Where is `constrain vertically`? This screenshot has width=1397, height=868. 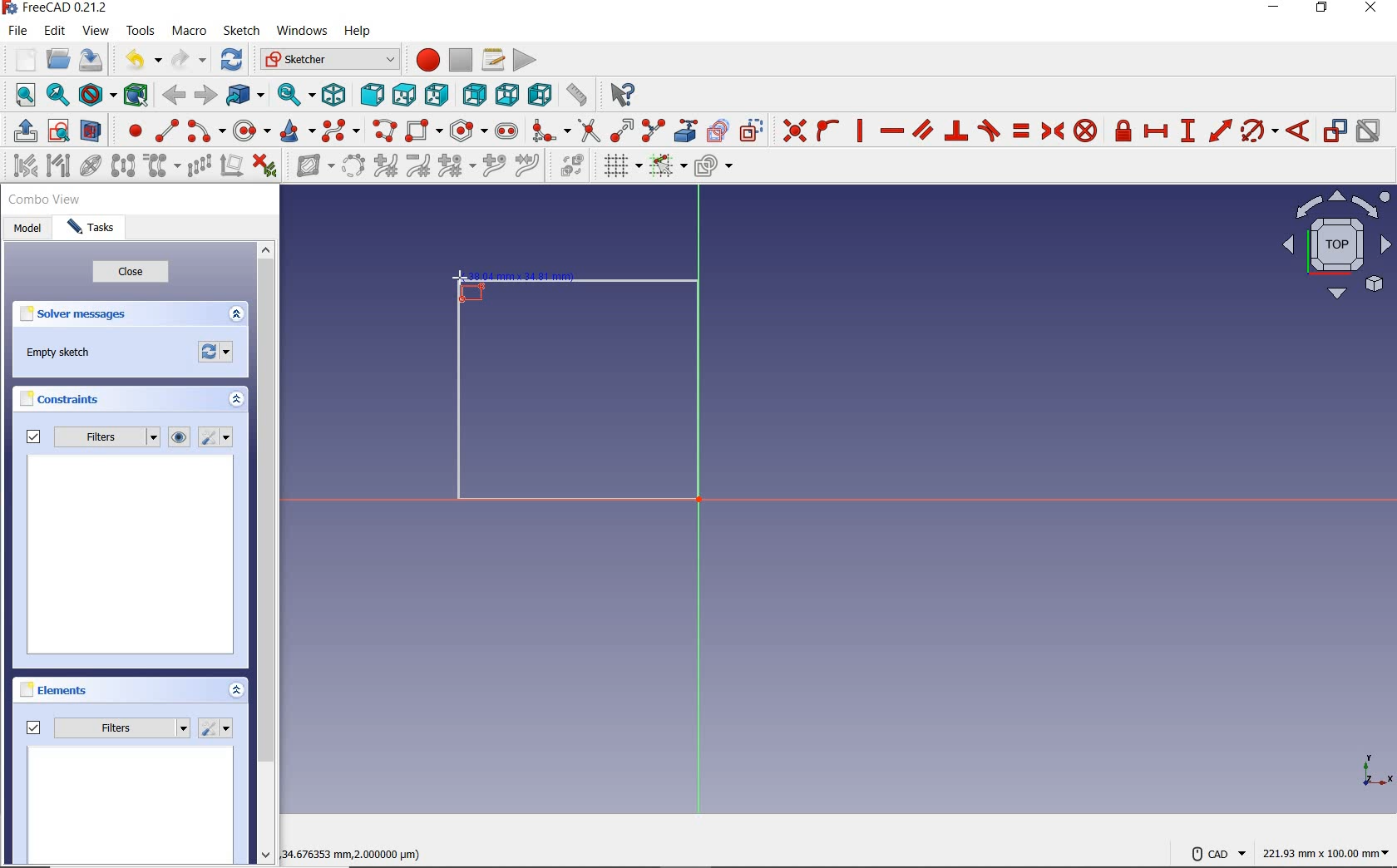 constrain vertically is located at coordinates (861, 133).